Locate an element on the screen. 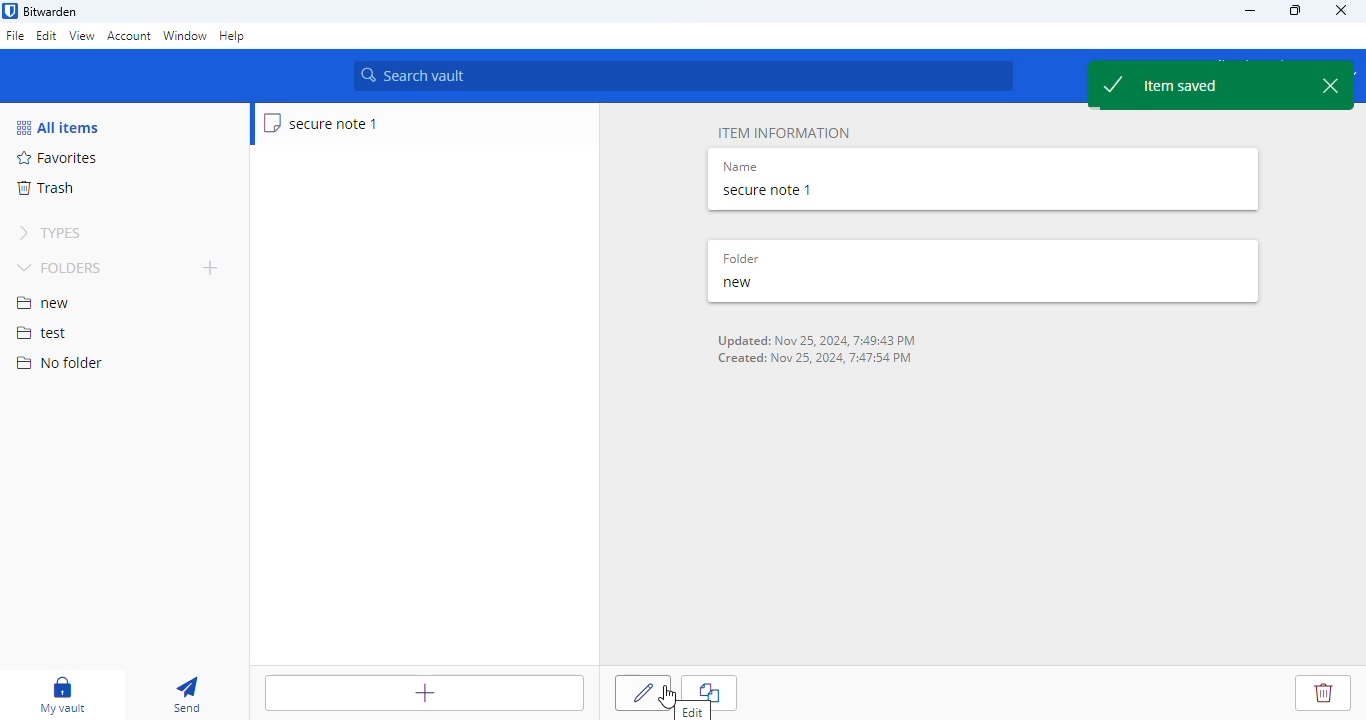 The image size is (1366, 720). new is located at coordinates (43, 303).